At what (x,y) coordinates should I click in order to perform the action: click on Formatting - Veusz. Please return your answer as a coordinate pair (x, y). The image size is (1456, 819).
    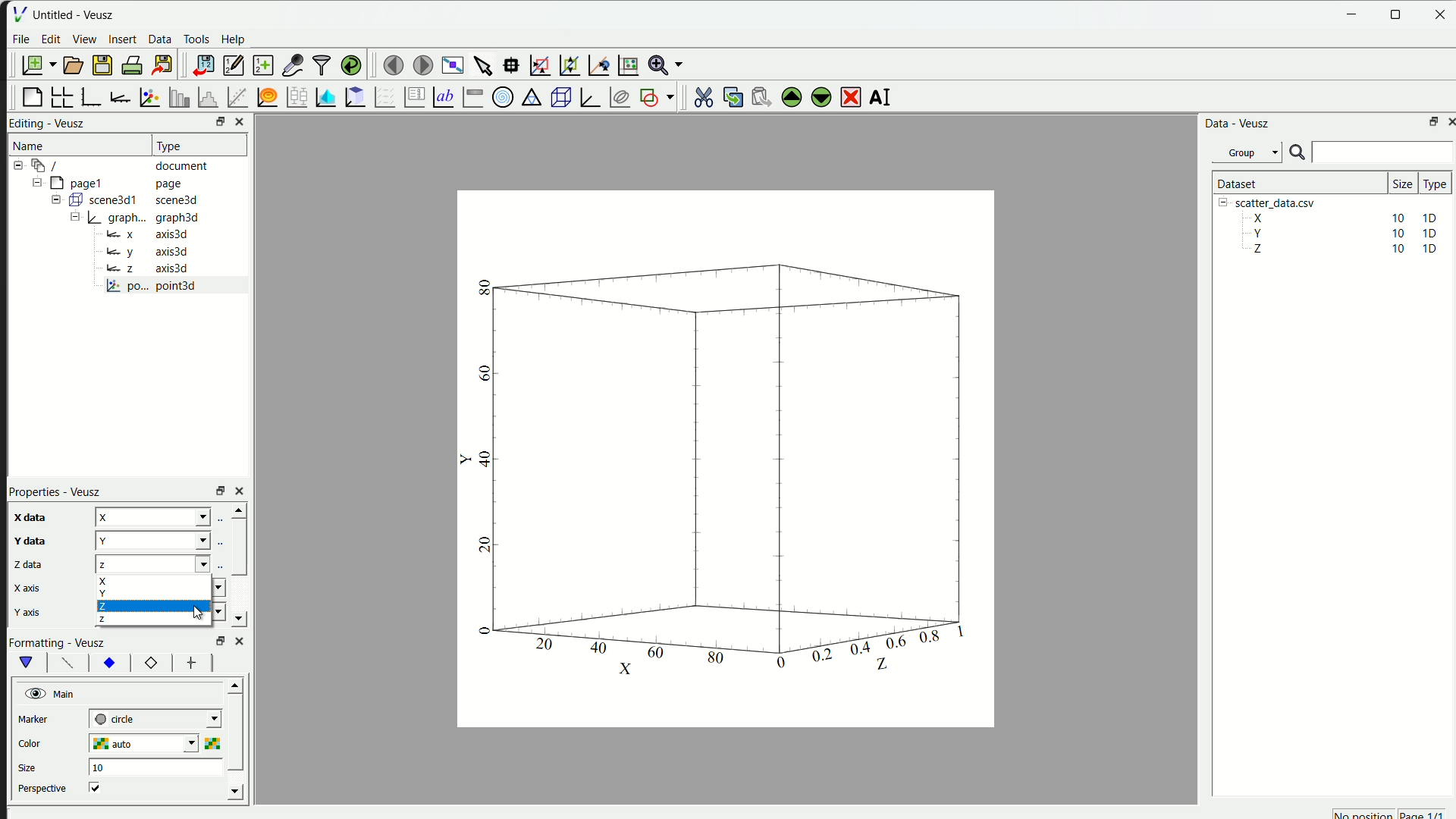
    Looking at the image, I should click on (64, 642).